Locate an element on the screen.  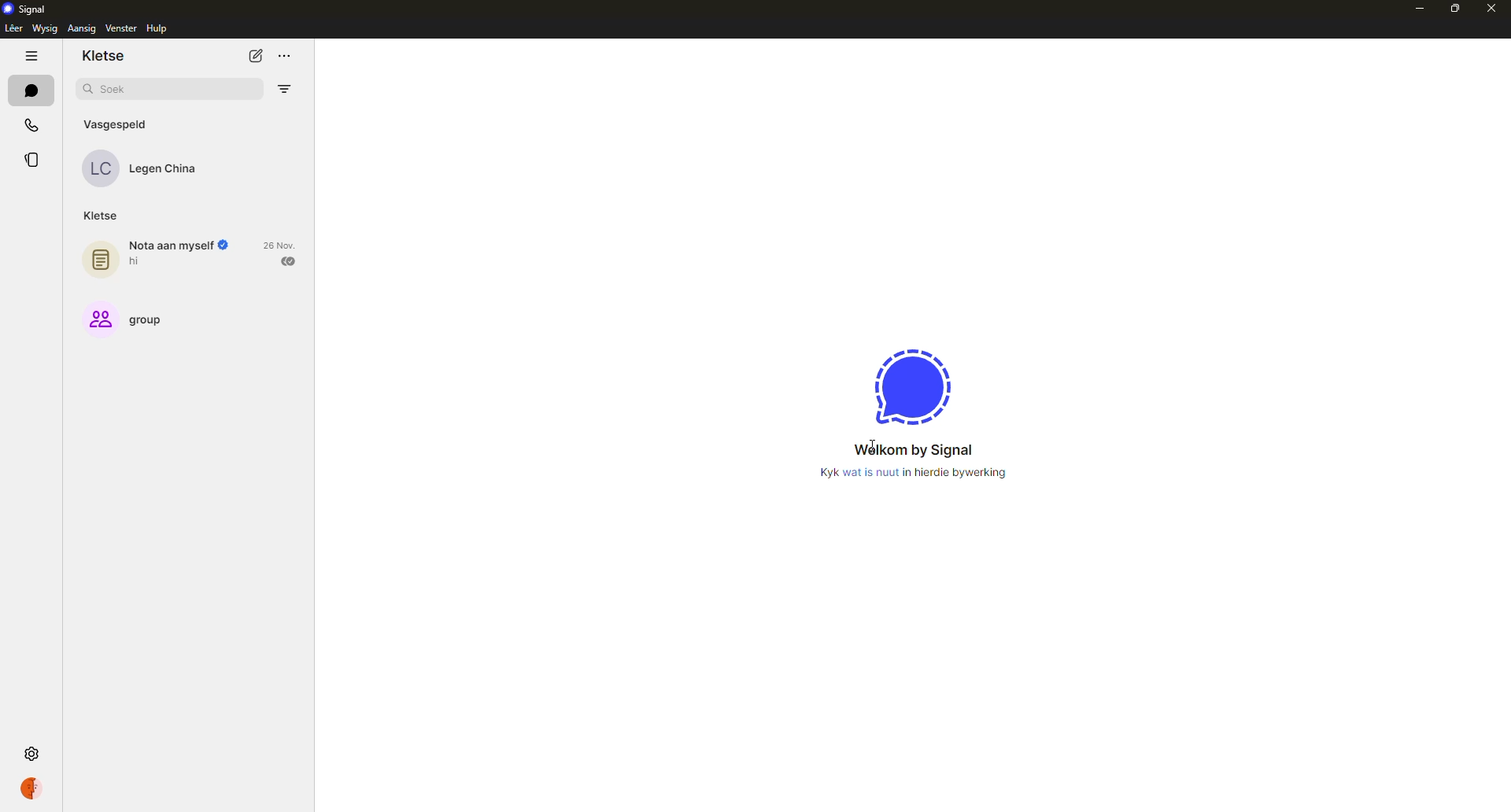
chats is located at coordinates (31, 90).